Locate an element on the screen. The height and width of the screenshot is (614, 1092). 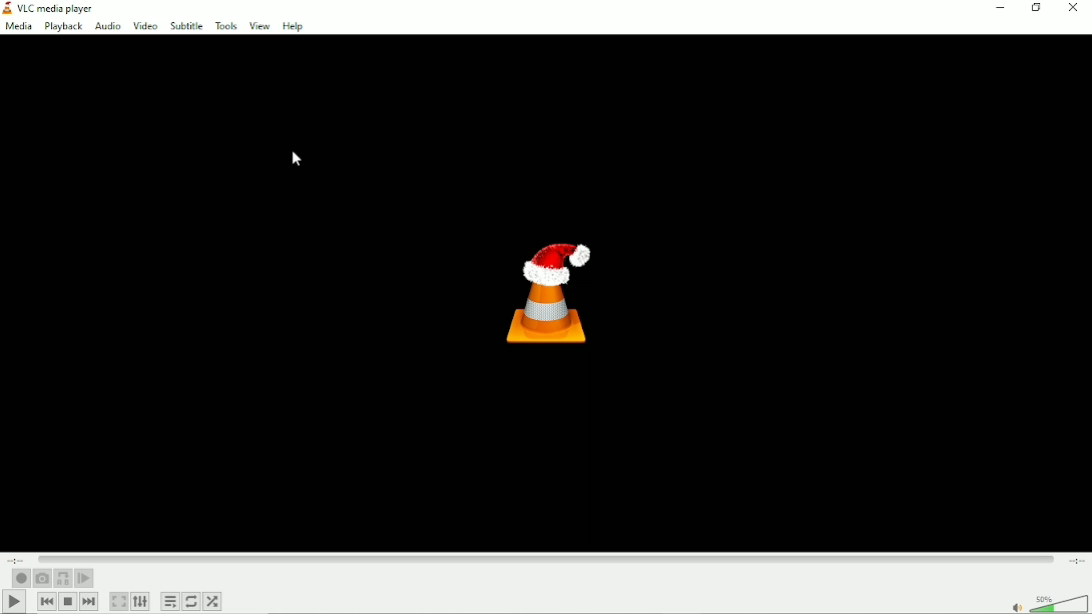
Toggle between loop all, loop one and no loop is located at coordinates (190, 601).